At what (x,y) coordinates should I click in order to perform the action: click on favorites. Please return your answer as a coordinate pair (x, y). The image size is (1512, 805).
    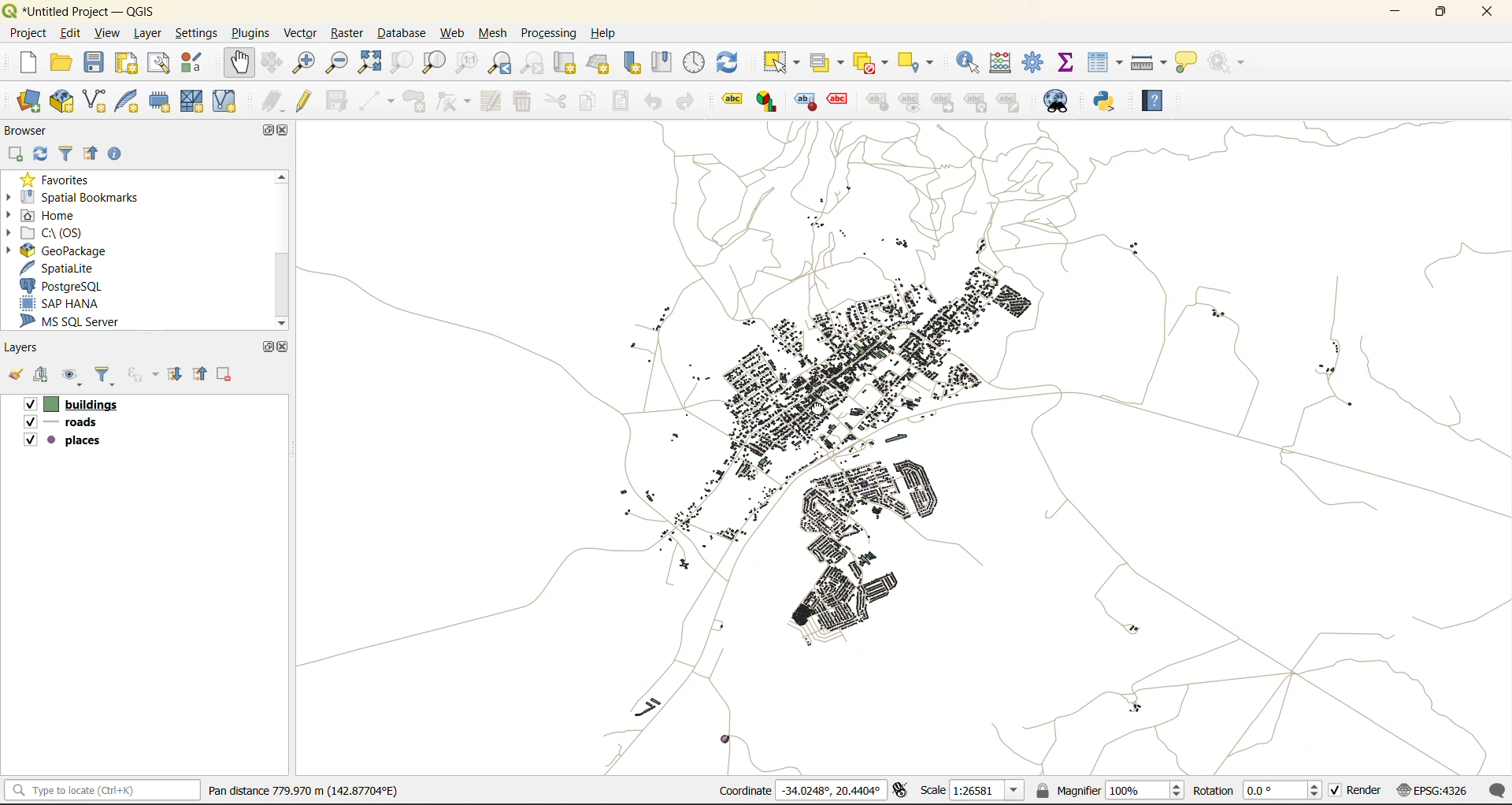
    Looking at the image, I should click on (60, 178).